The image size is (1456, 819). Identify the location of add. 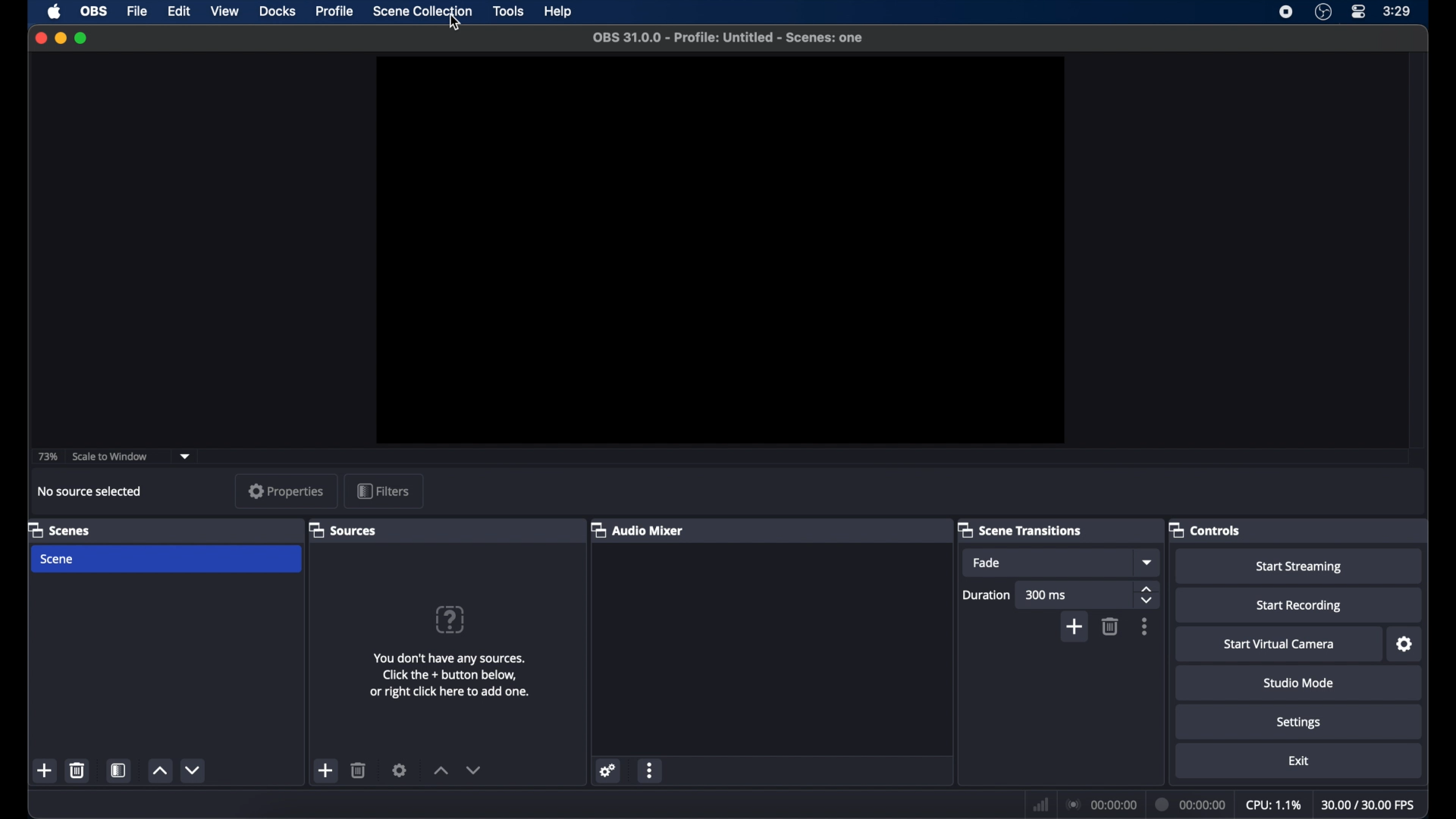
(45, 770).